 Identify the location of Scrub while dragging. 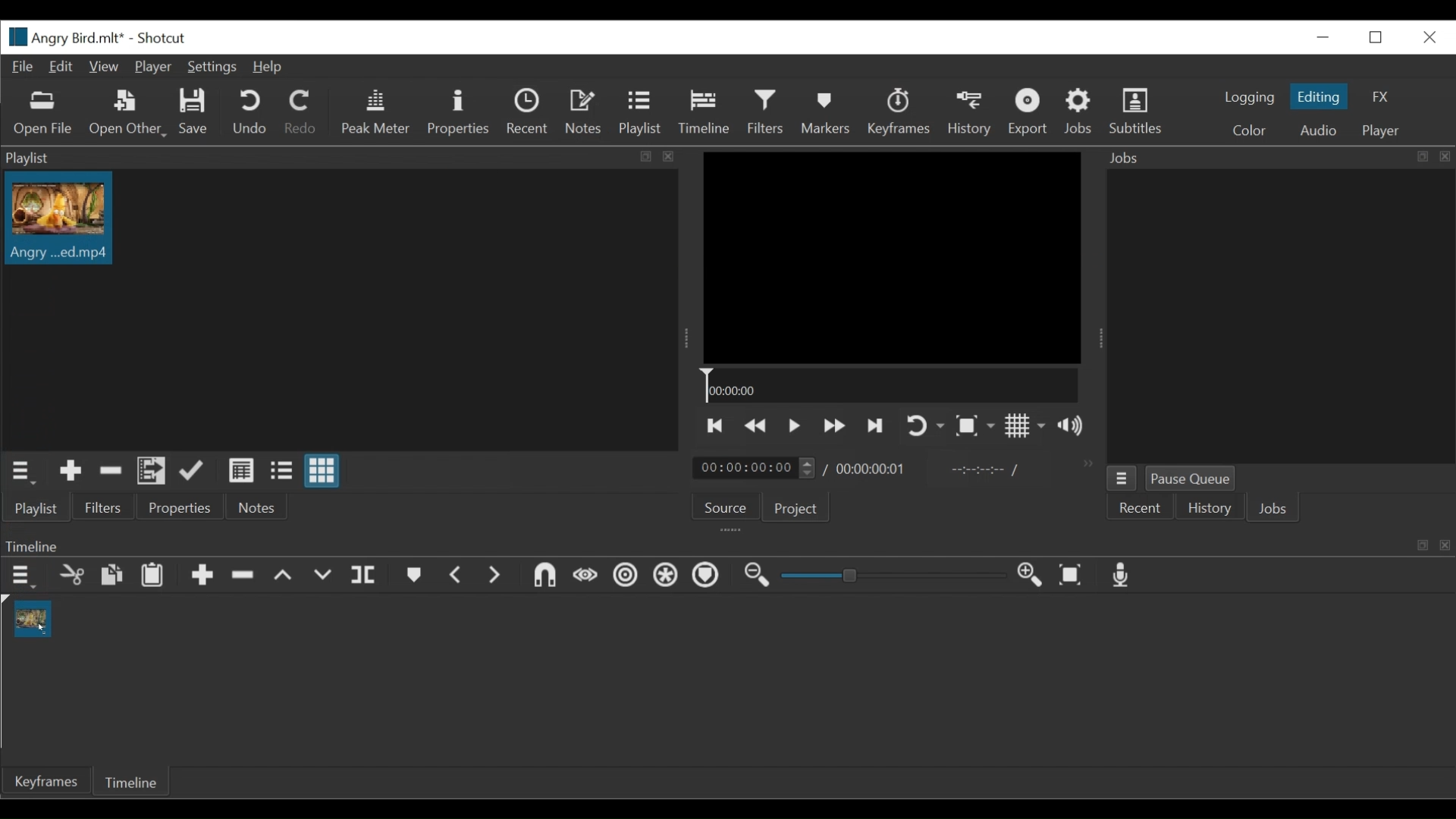
(708, 576).